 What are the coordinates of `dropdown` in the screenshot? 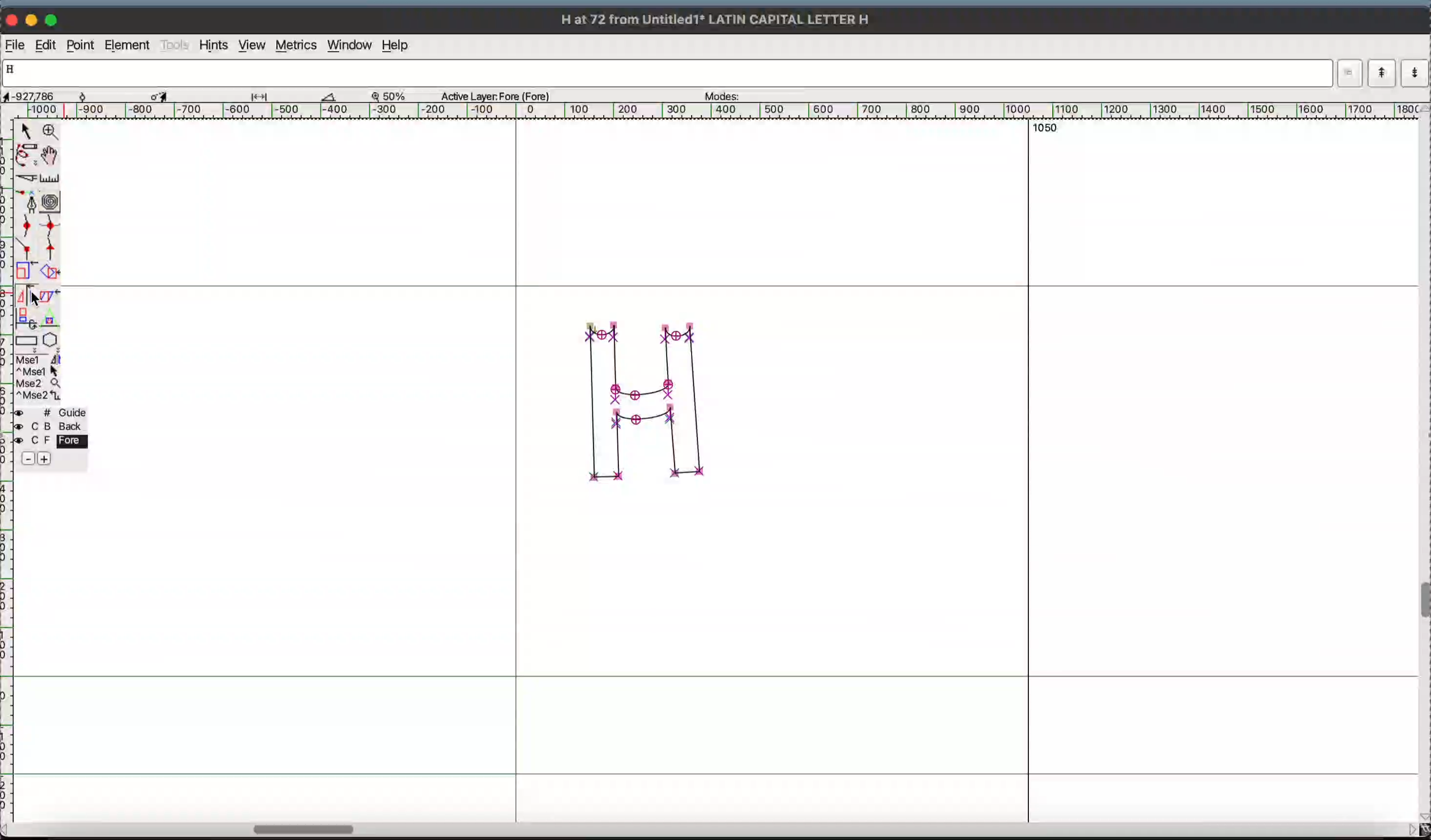 It's located at (1351, 73).